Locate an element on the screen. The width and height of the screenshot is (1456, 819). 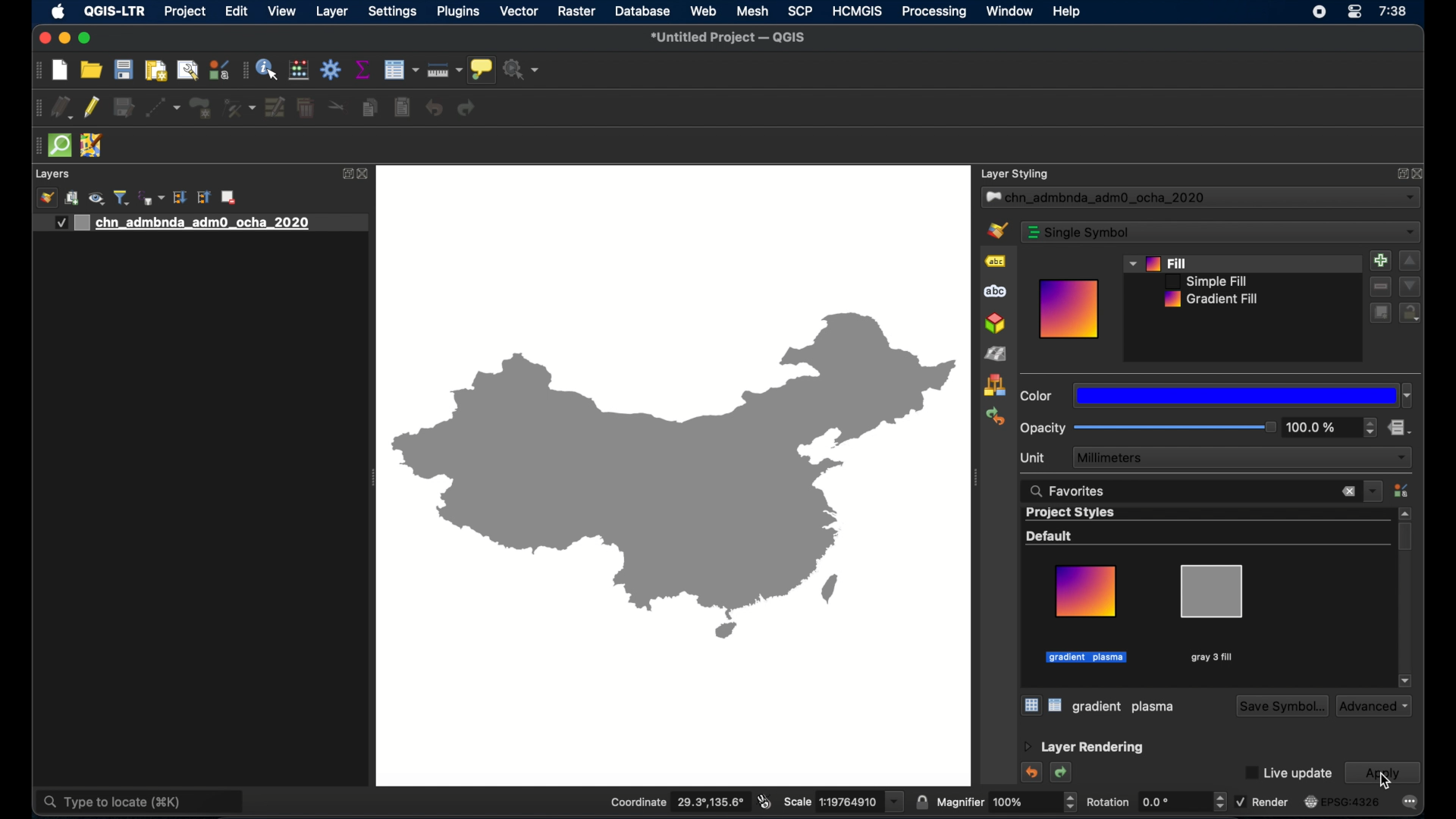
expand is located at coordinates (347, 173).